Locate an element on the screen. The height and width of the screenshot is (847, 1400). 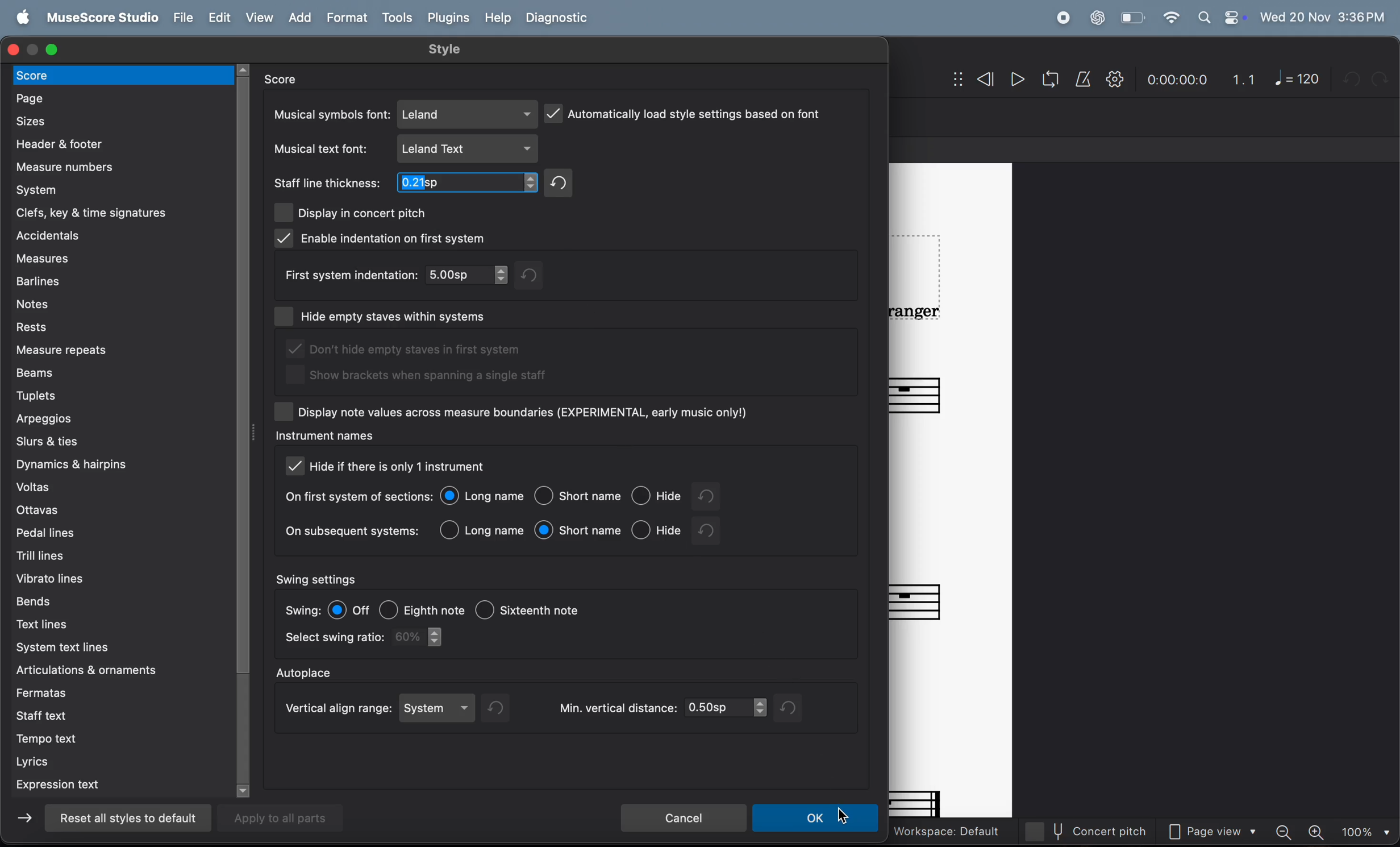
okay is located at coordinates (816, 819).